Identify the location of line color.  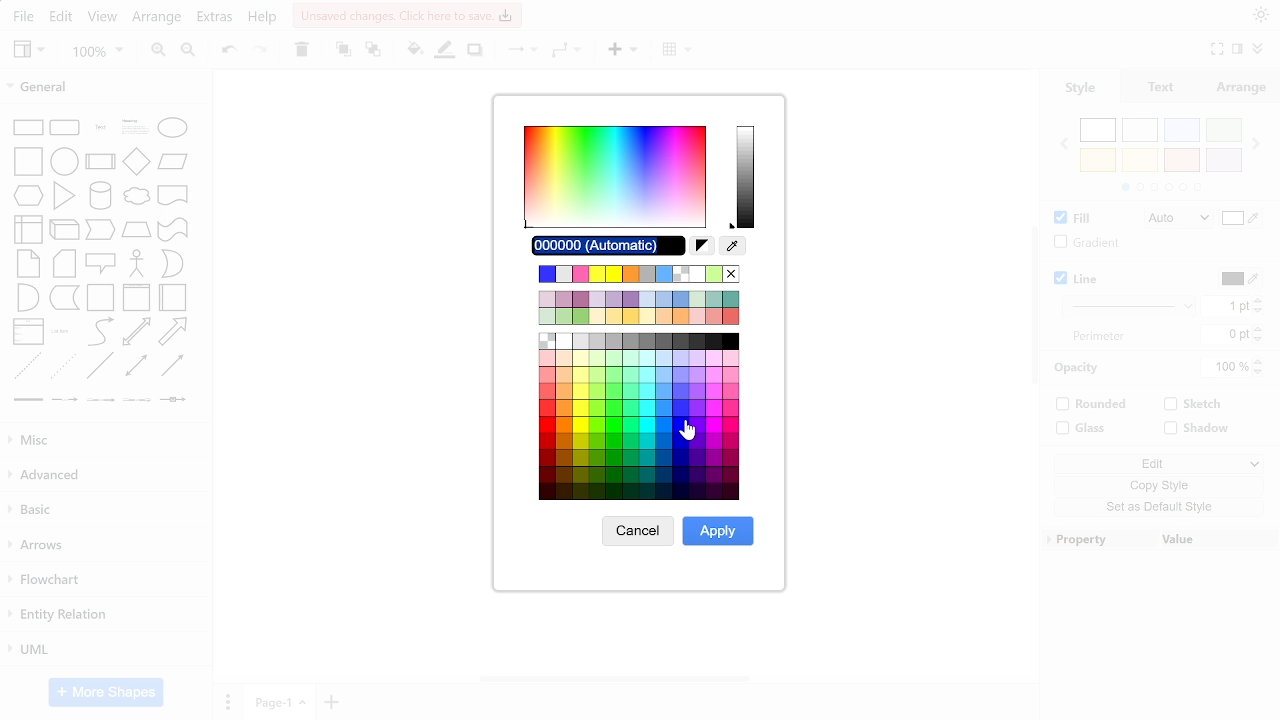
(1239, 279).